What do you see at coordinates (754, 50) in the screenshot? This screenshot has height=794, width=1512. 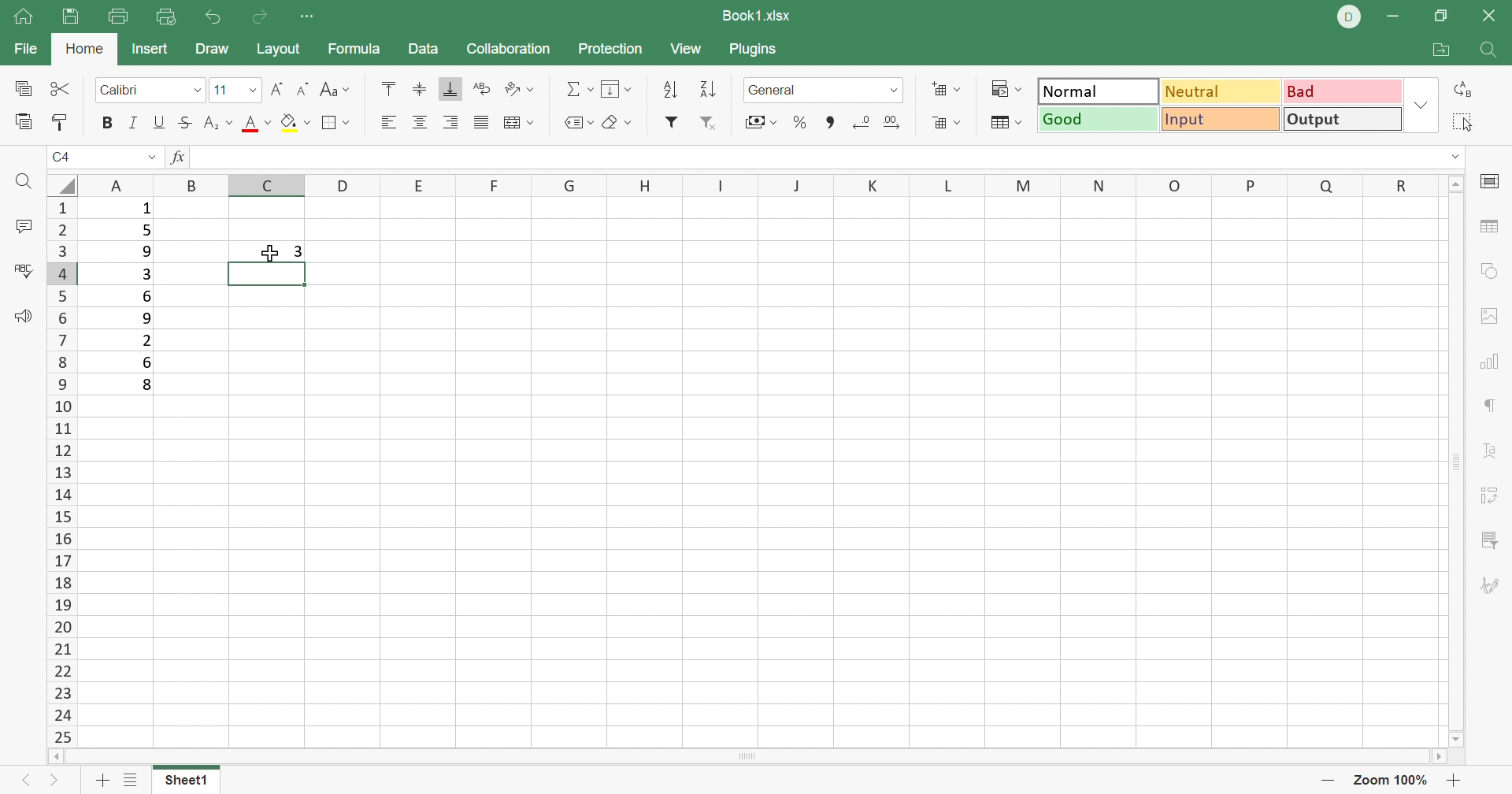 I see `Plugins` at bounding box center [754, 50].